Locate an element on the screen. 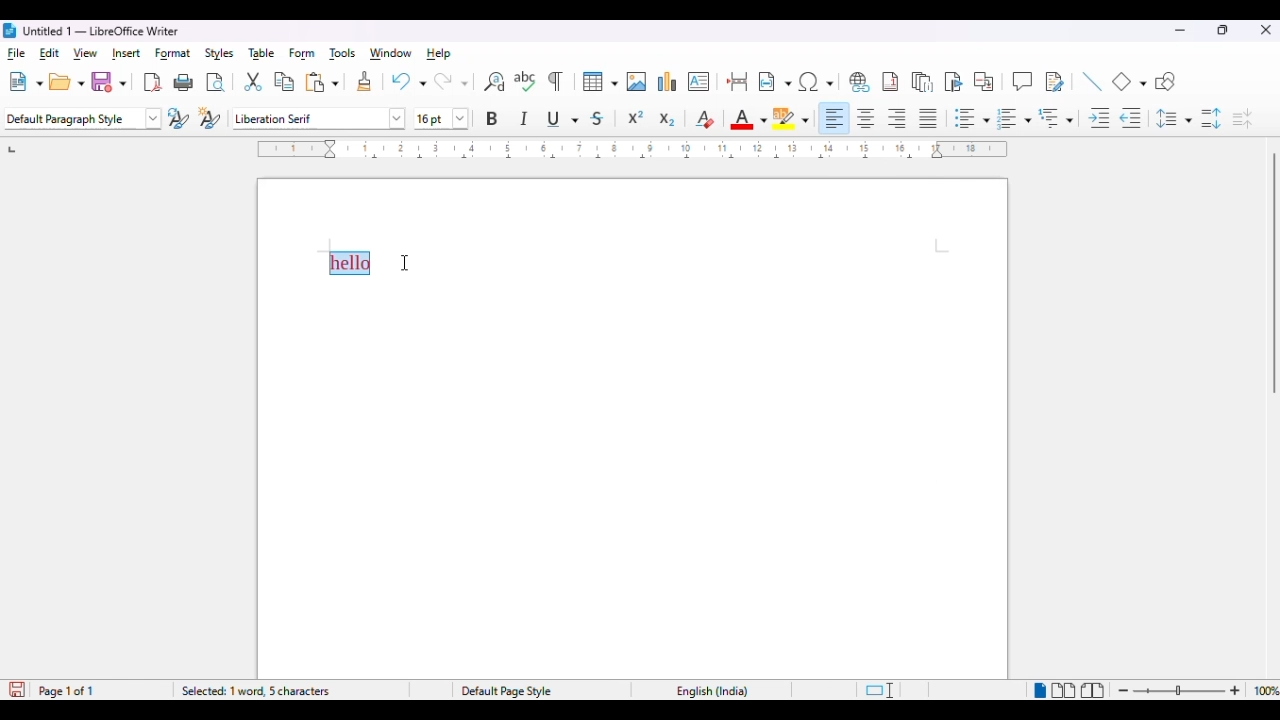 This screenshot has width=1280, height=720. selected text is located at coordinates (351, 264).